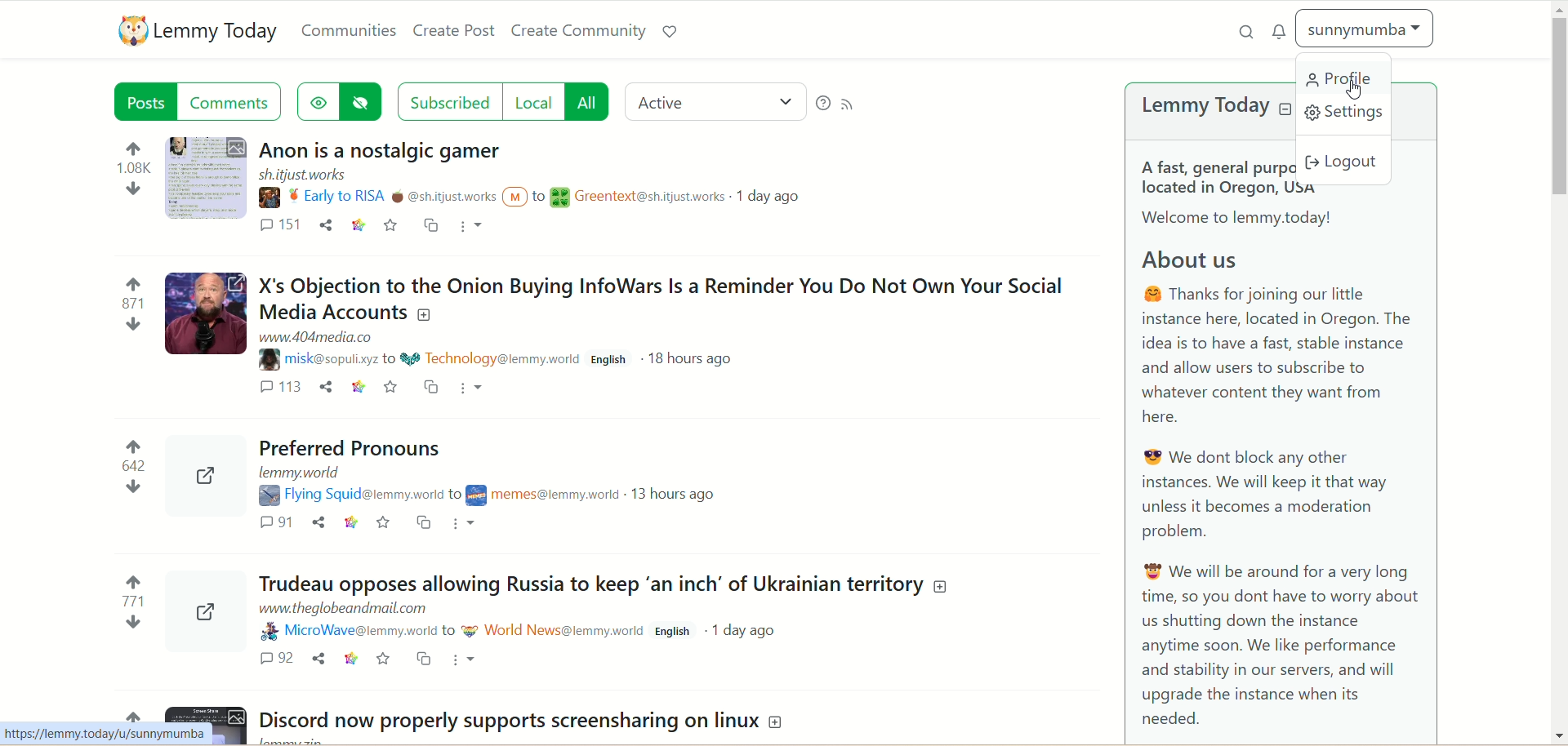  Describe the element at coordinates (470, 526) in the screenshot. I see `More options` at that location.